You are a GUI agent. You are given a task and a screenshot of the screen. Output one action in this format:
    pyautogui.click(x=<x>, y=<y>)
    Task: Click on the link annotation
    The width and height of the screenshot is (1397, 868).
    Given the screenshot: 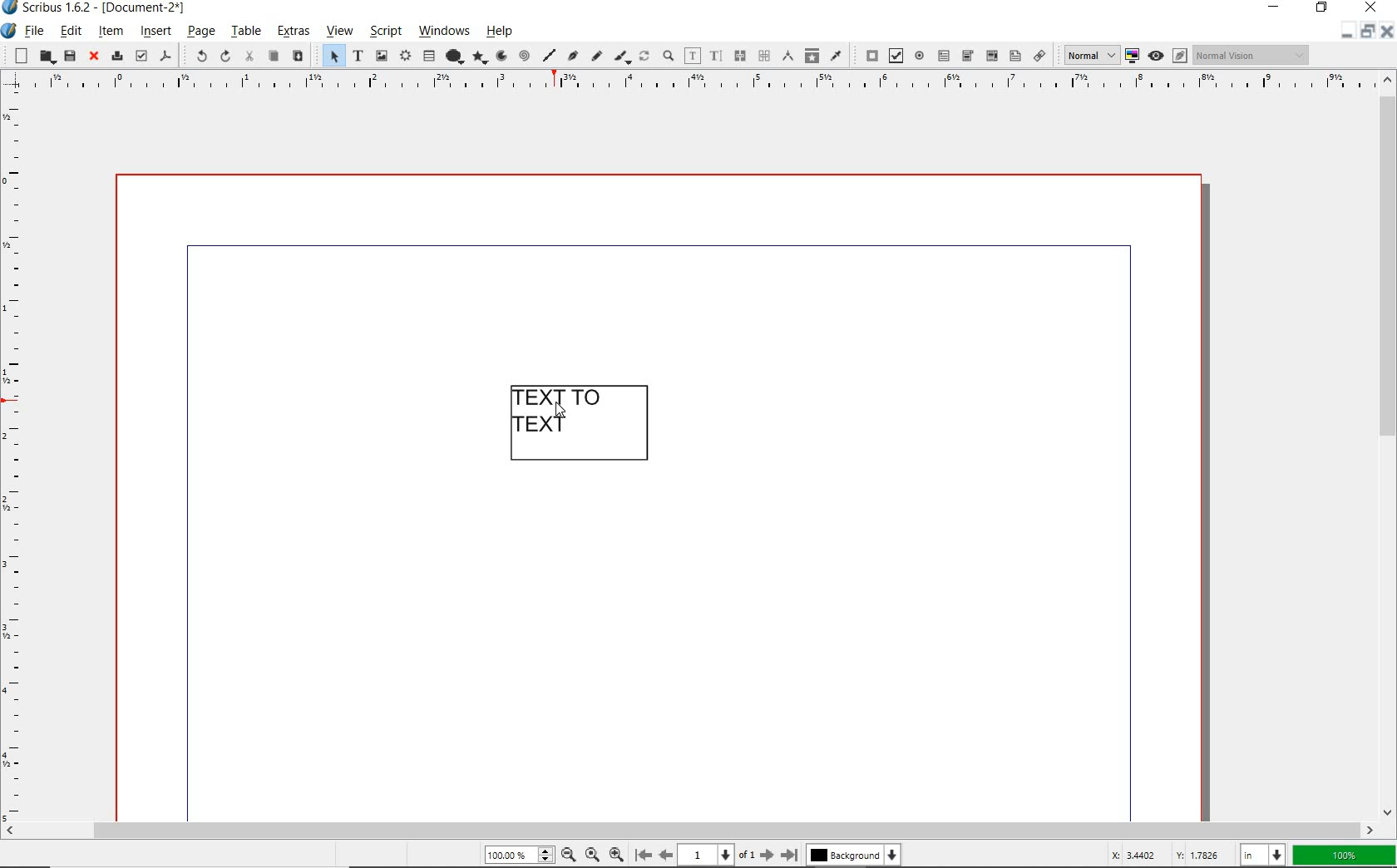 What is the action you would take?
    pyautogui.click(x=1038, y=55)
    